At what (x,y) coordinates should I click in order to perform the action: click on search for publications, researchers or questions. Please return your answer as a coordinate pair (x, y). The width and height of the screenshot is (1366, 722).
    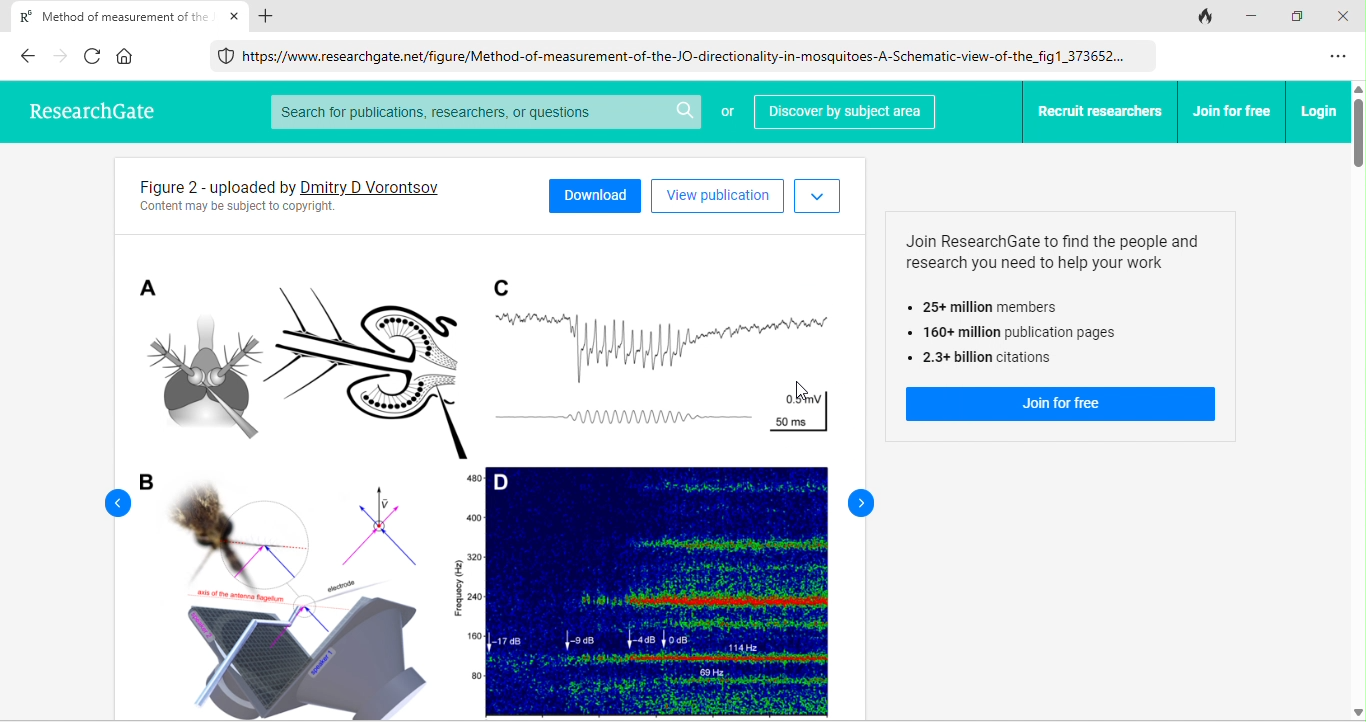
    Looking at the image, I should click on (484, 112).